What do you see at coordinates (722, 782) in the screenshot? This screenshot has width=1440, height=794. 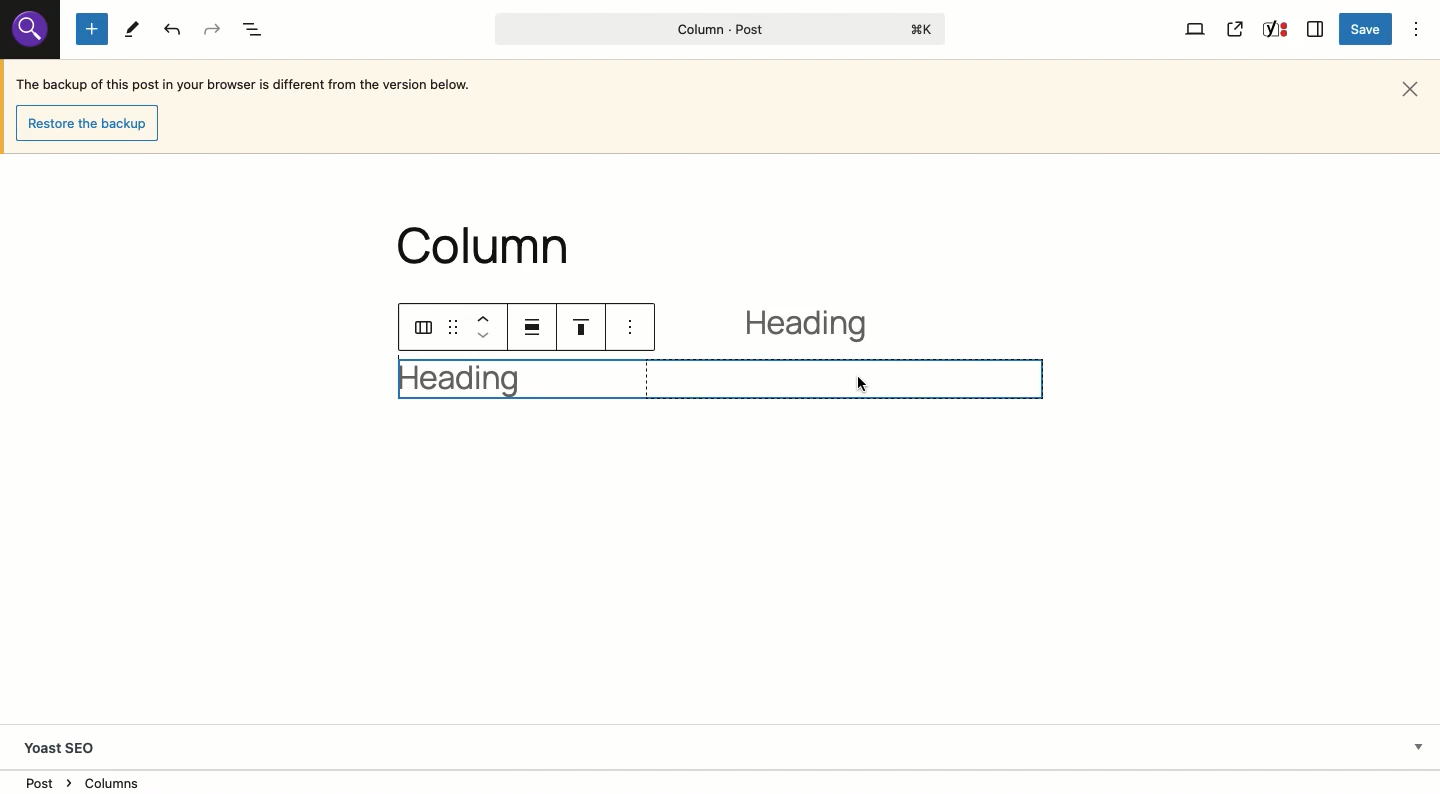 I see `Location` at bounding box center [722, 782].